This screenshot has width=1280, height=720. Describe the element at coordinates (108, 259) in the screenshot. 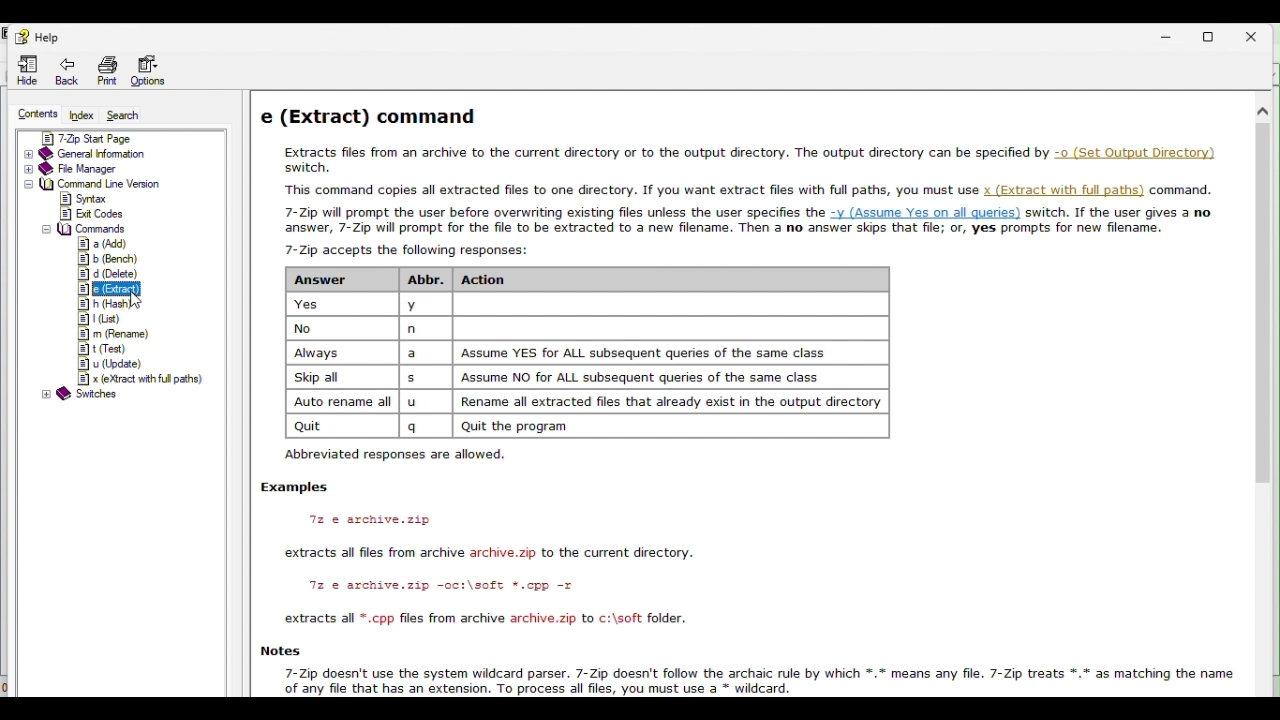

I see `b( bench )` at that location.